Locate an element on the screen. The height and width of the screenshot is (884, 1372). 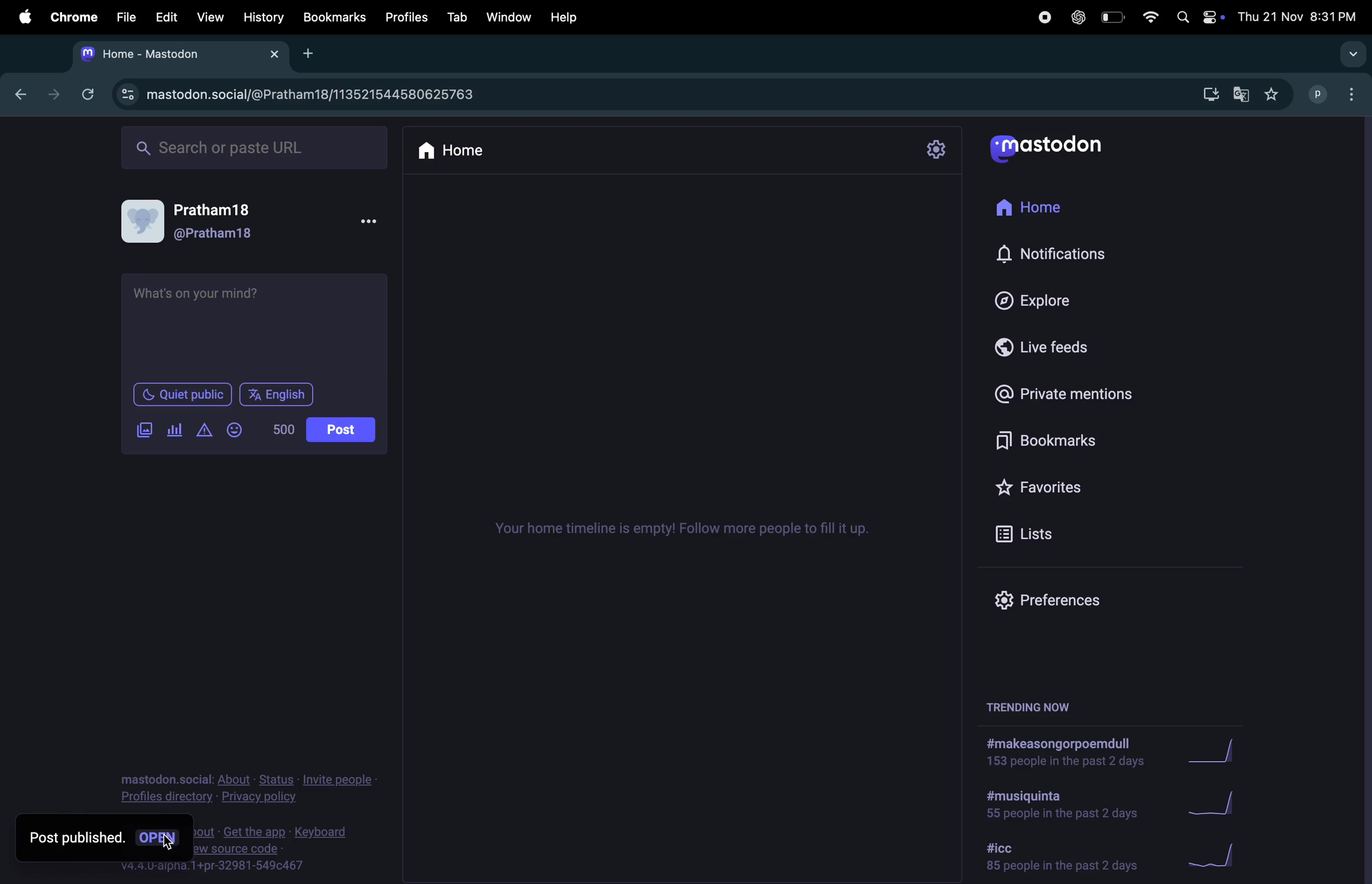
user is located at coordinates (216, 234).